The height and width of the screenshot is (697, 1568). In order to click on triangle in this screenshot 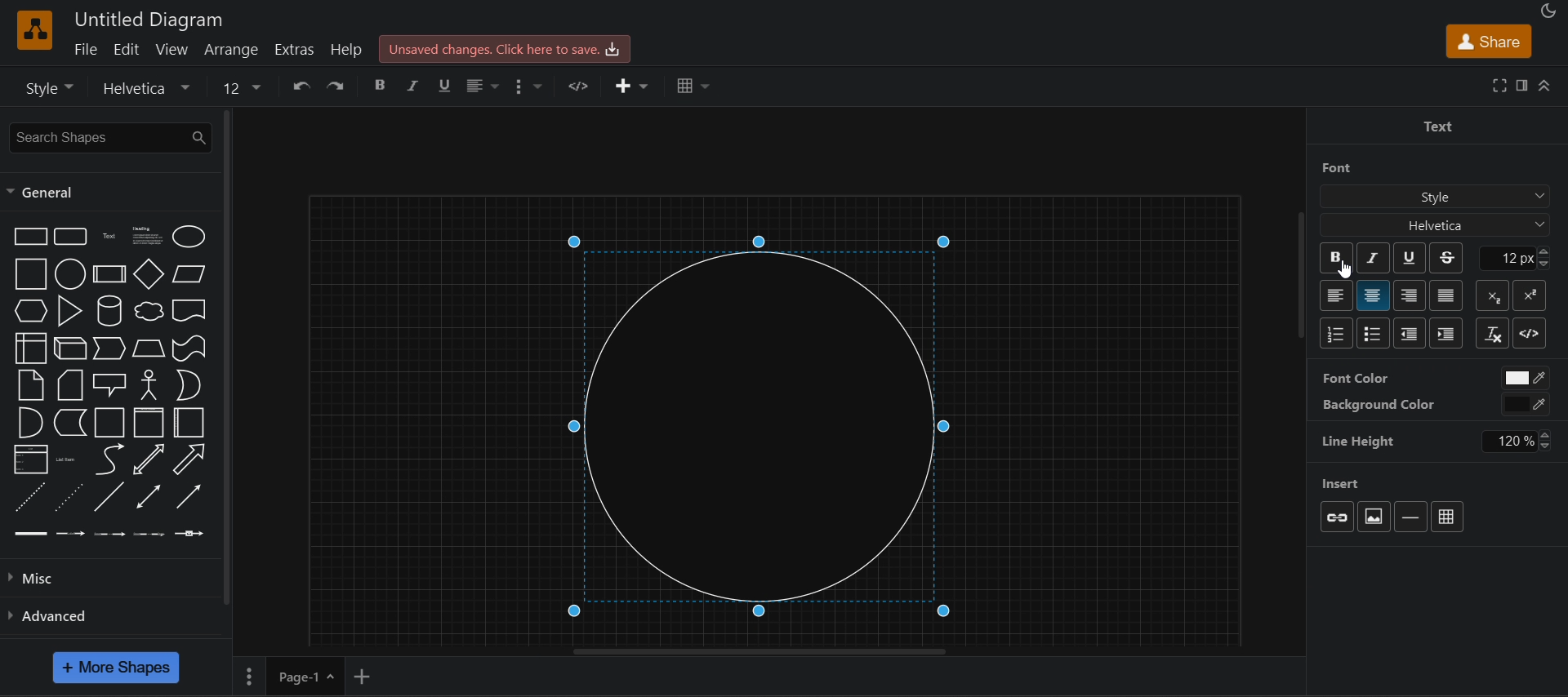, I will do `click(73, 311)`.